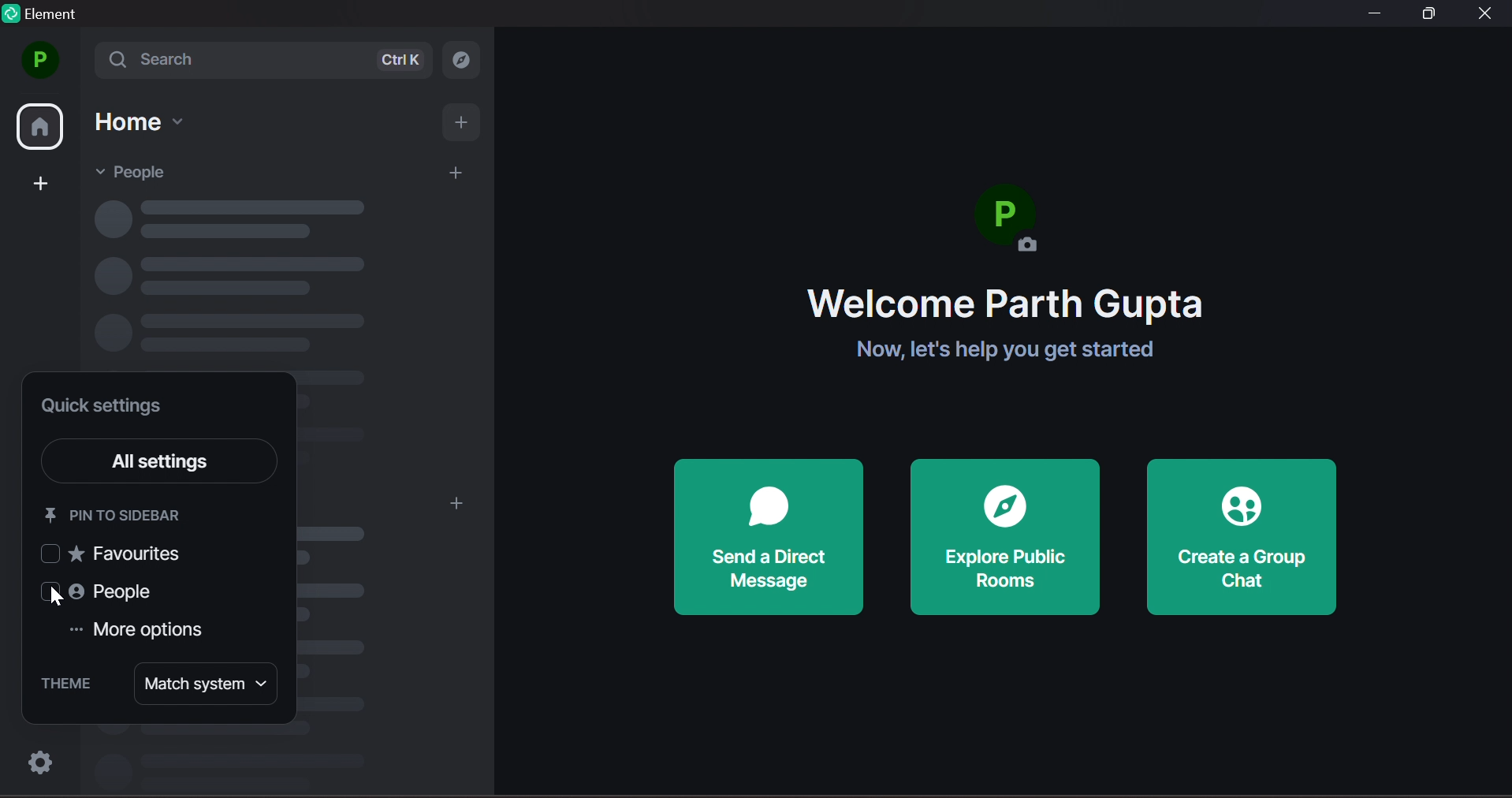 This screenshot has width=1512, height=798. What do you see at coordinates (44, 182) in the screenshot?
I see `add` at bounding box center [44, 182].